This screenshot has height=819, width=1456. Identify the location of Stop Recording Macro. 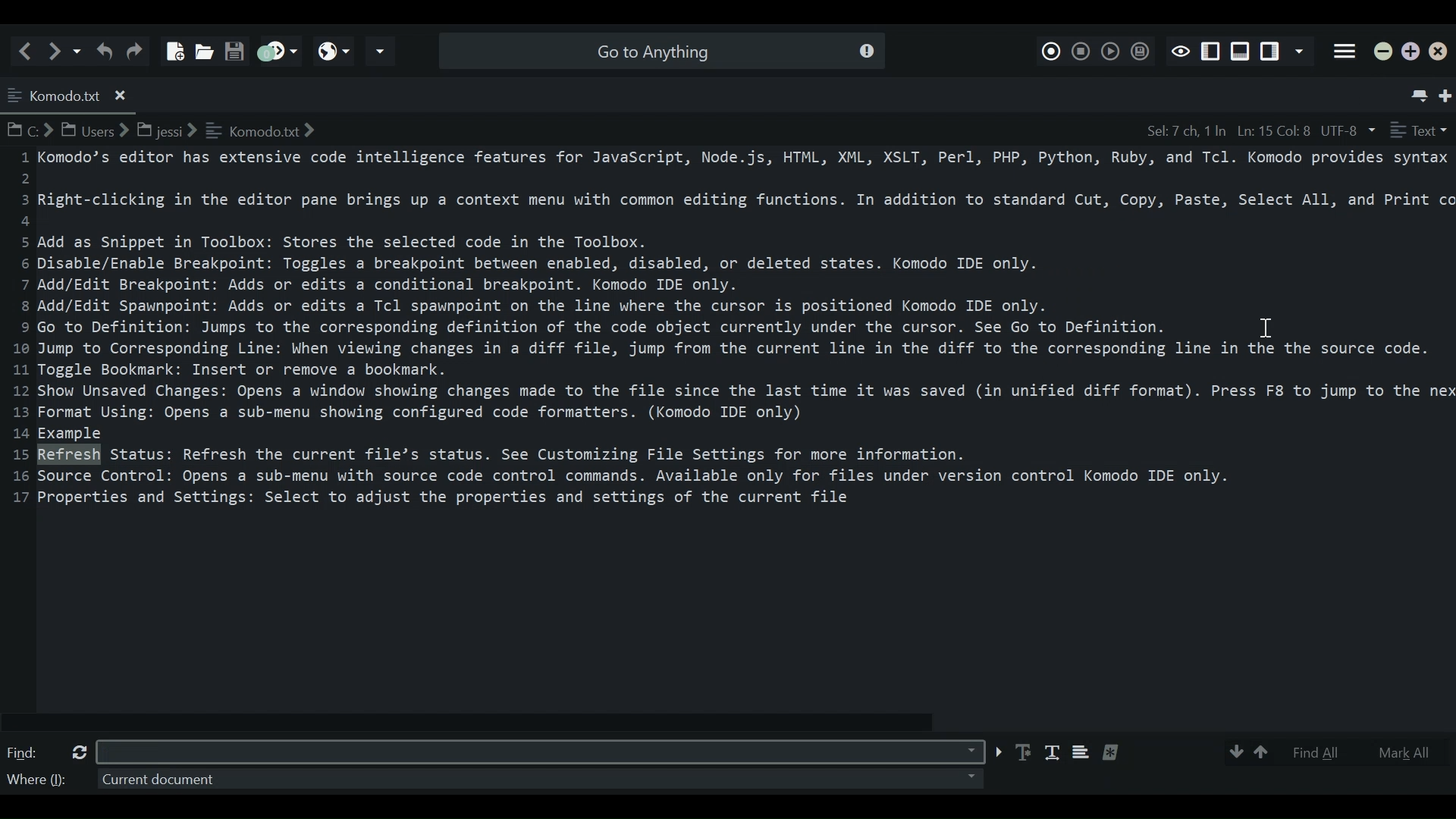
(1081, 49).